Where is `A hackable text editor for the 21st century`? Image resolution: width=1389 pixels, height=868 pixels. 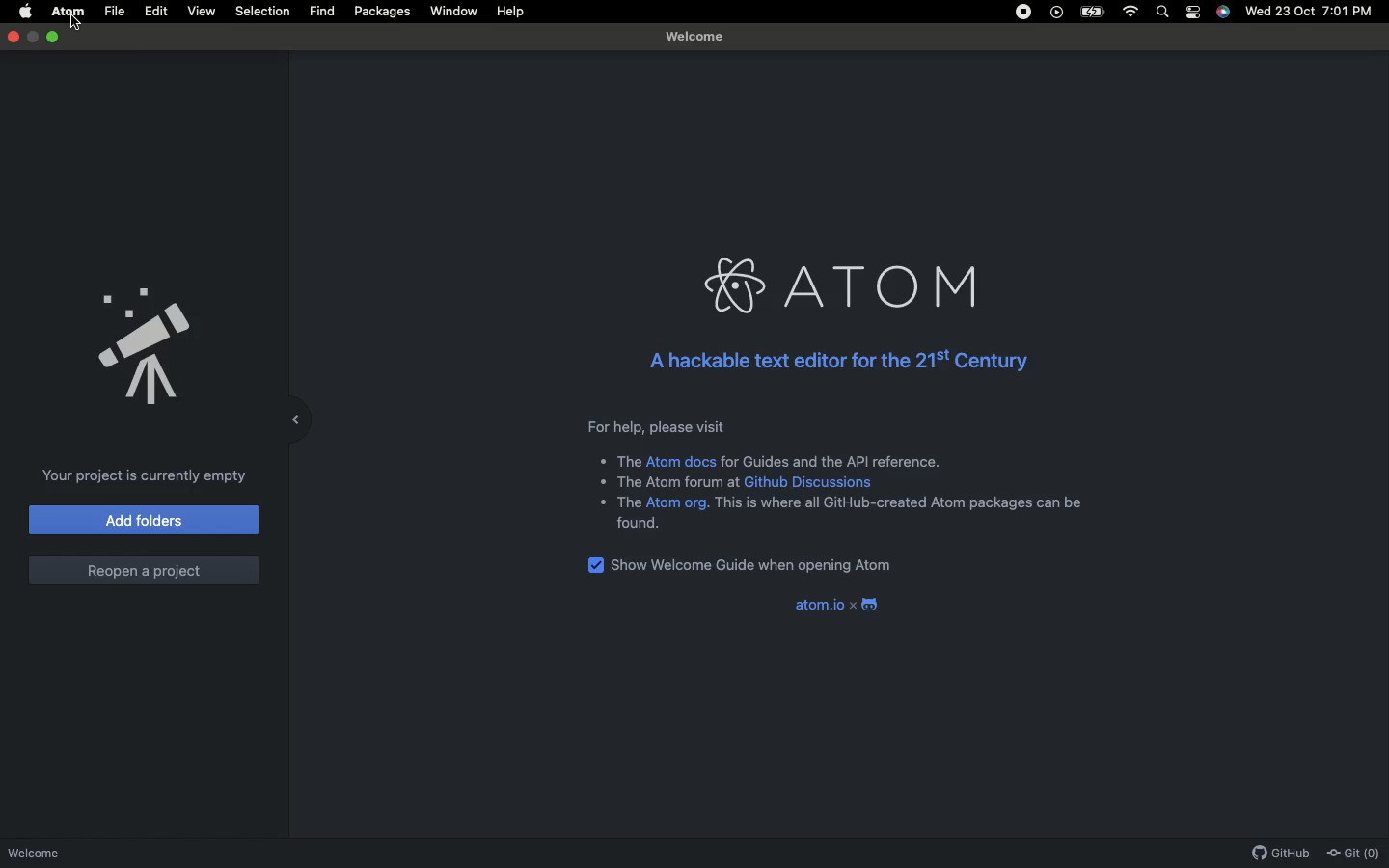 A hackable text editor for the 21st century is located at coordinates (840, 366).